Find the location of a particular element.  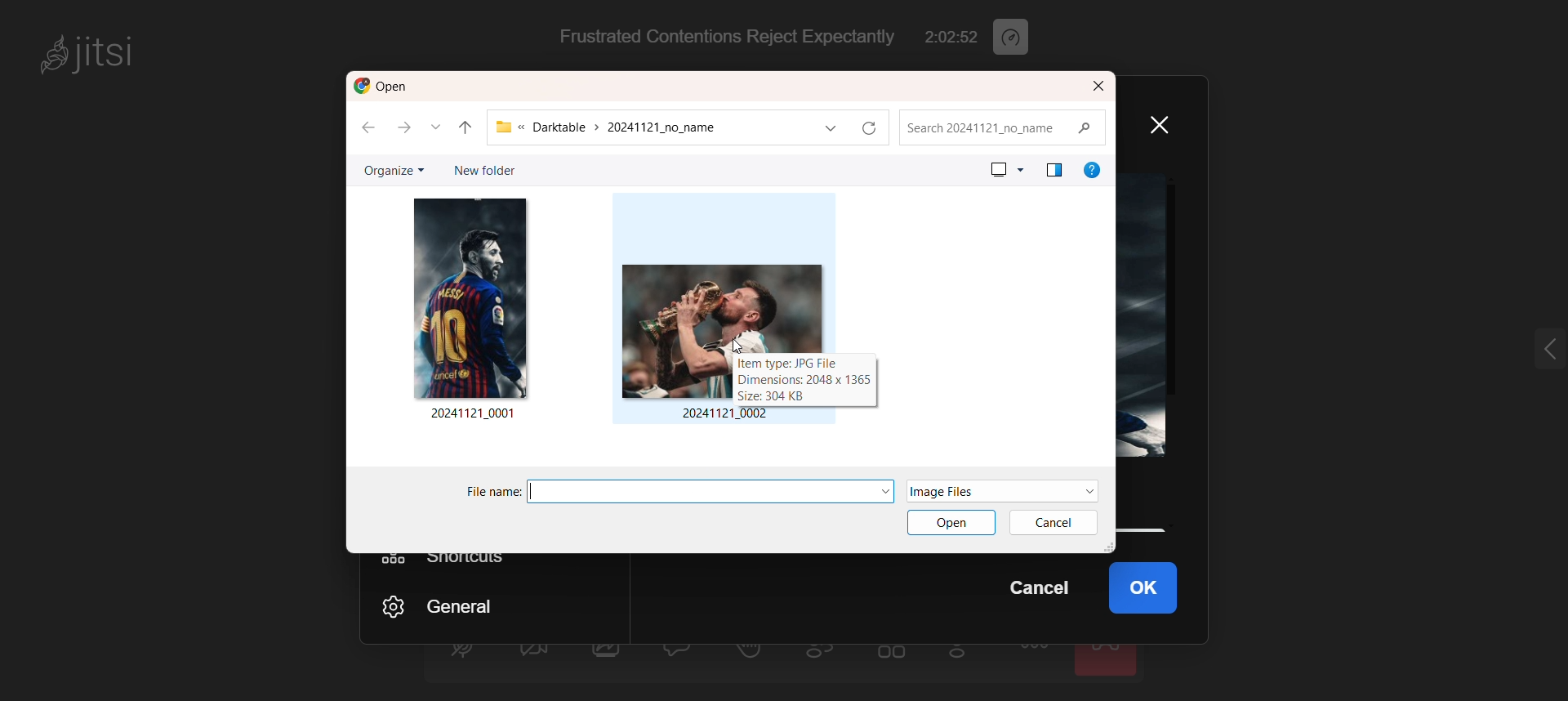

Darktable> 20241121_no_name is located at coordinates (644, 128).